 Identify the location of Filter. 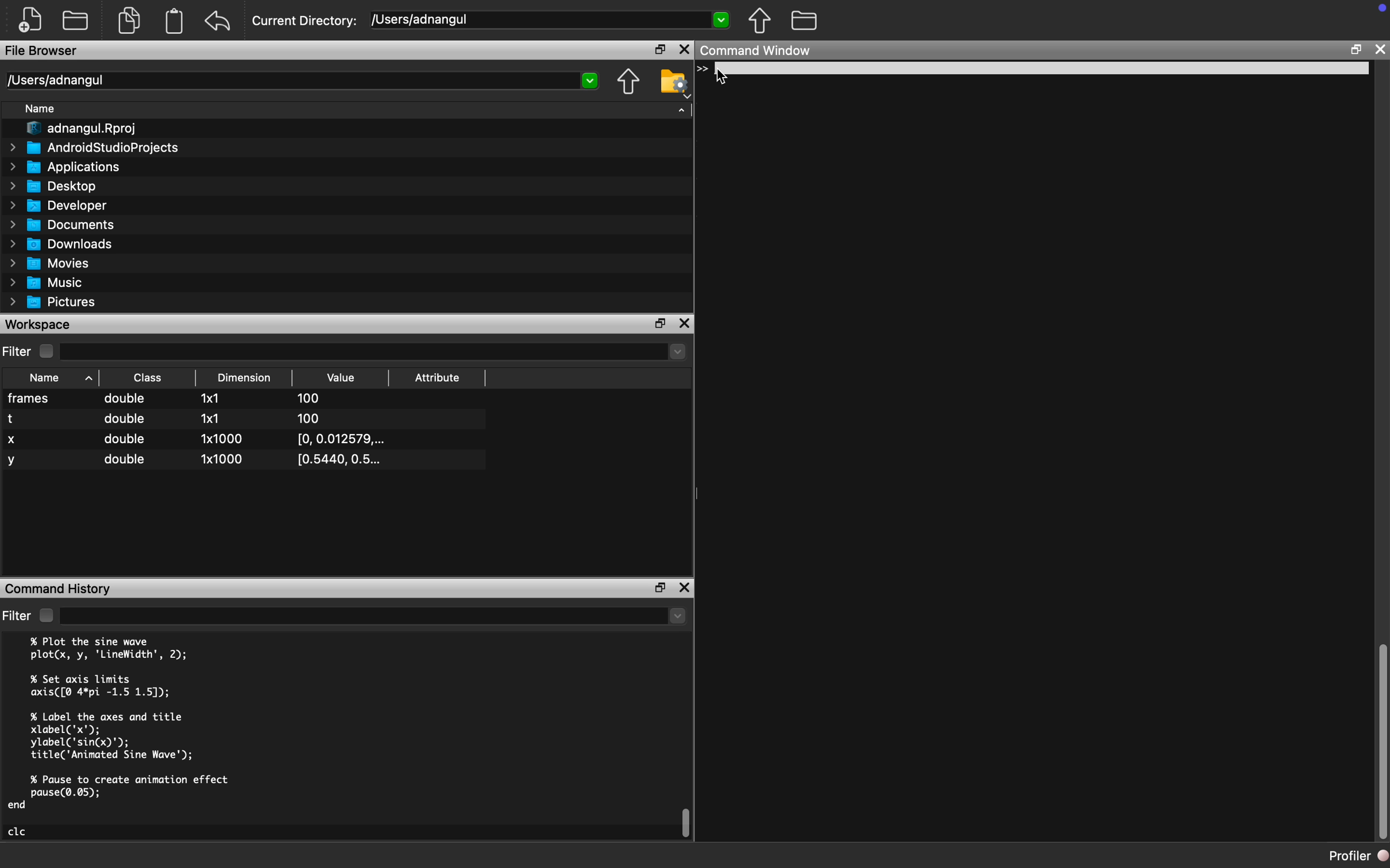
(16, 617).